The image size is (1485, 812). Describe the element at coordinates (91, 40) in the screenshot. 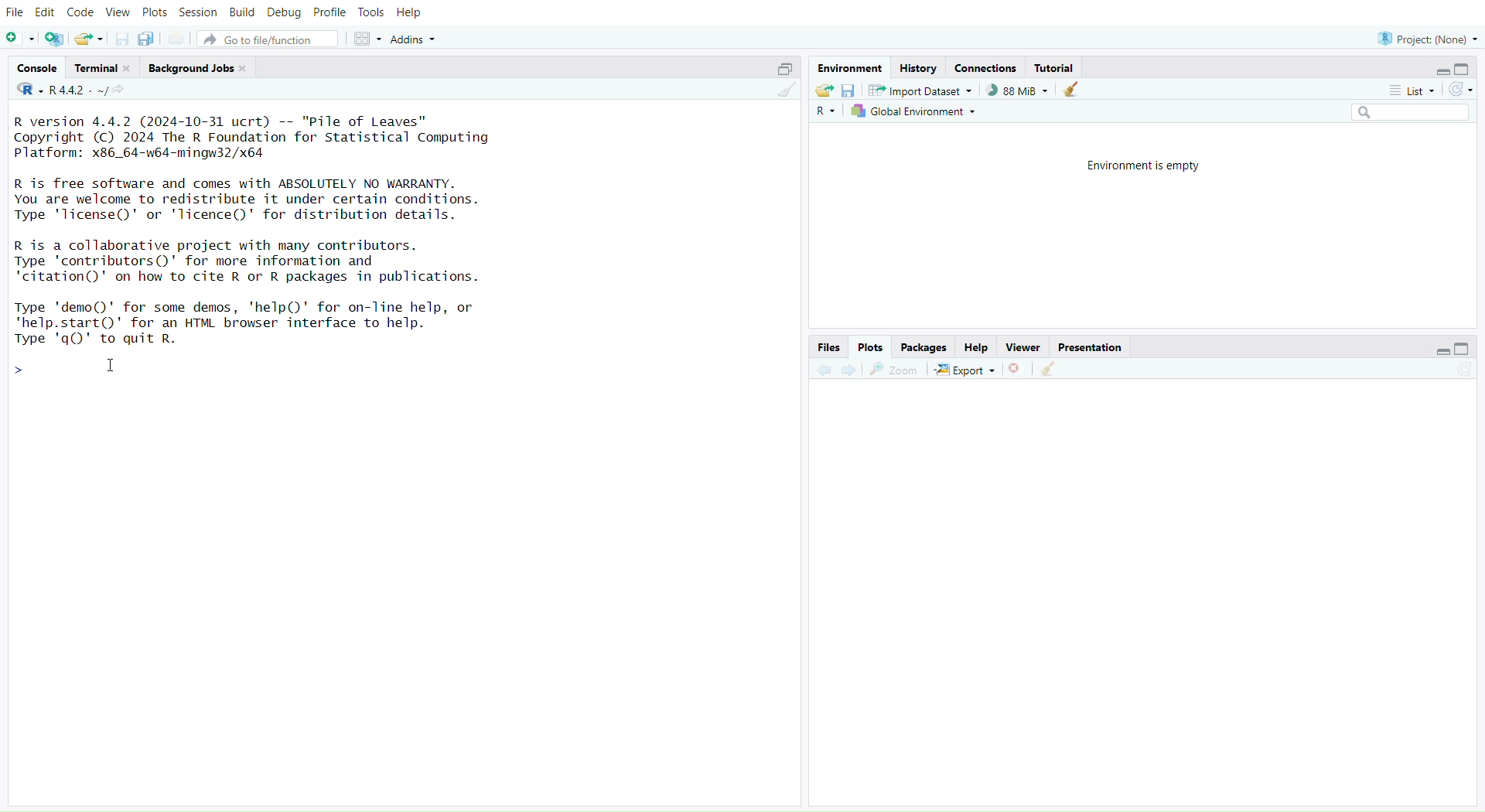

I see `open an existing file` at that location.